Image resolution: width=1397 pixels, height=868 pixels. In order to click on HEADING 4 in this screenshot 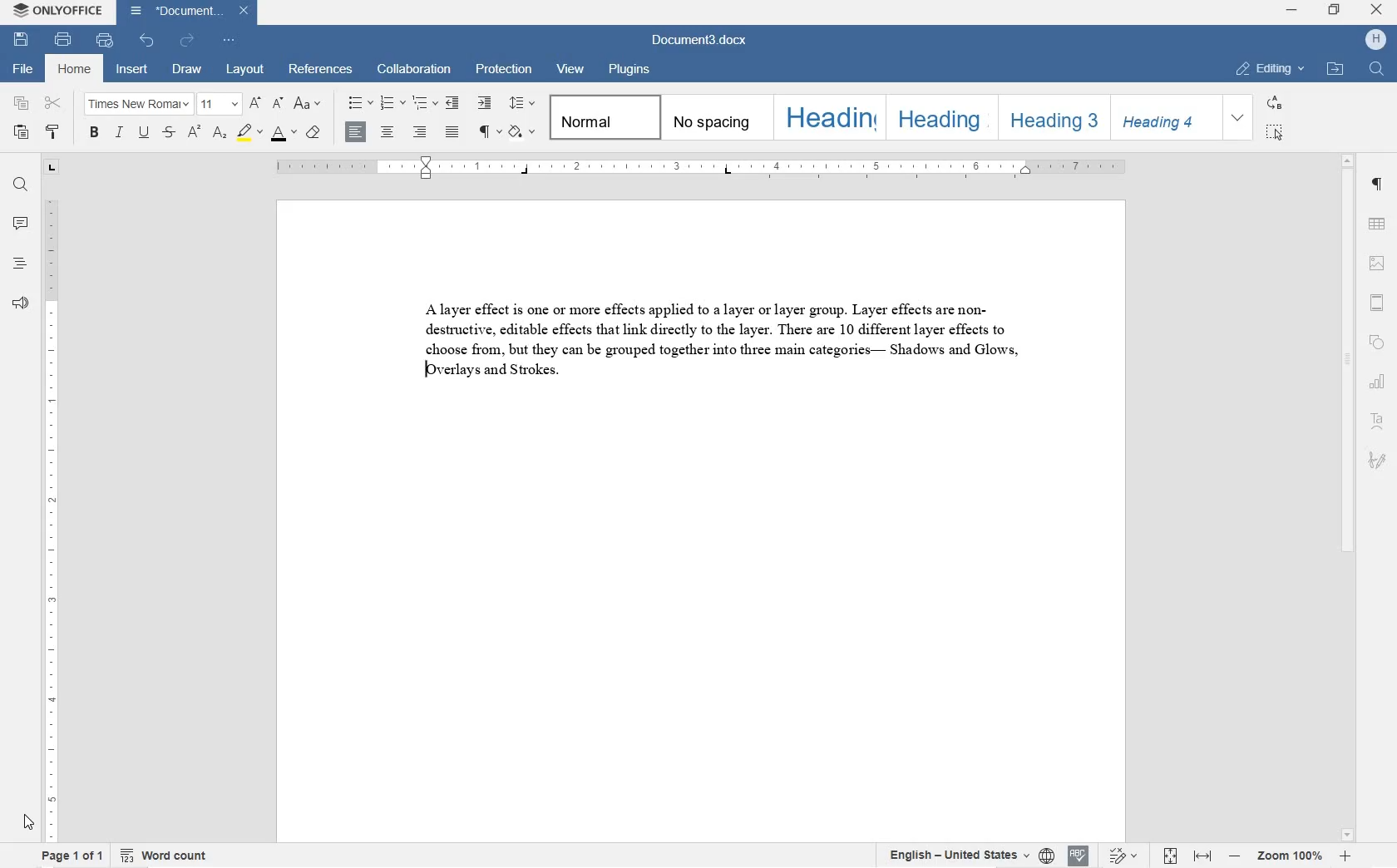, I will do `click(1164, 117)`.